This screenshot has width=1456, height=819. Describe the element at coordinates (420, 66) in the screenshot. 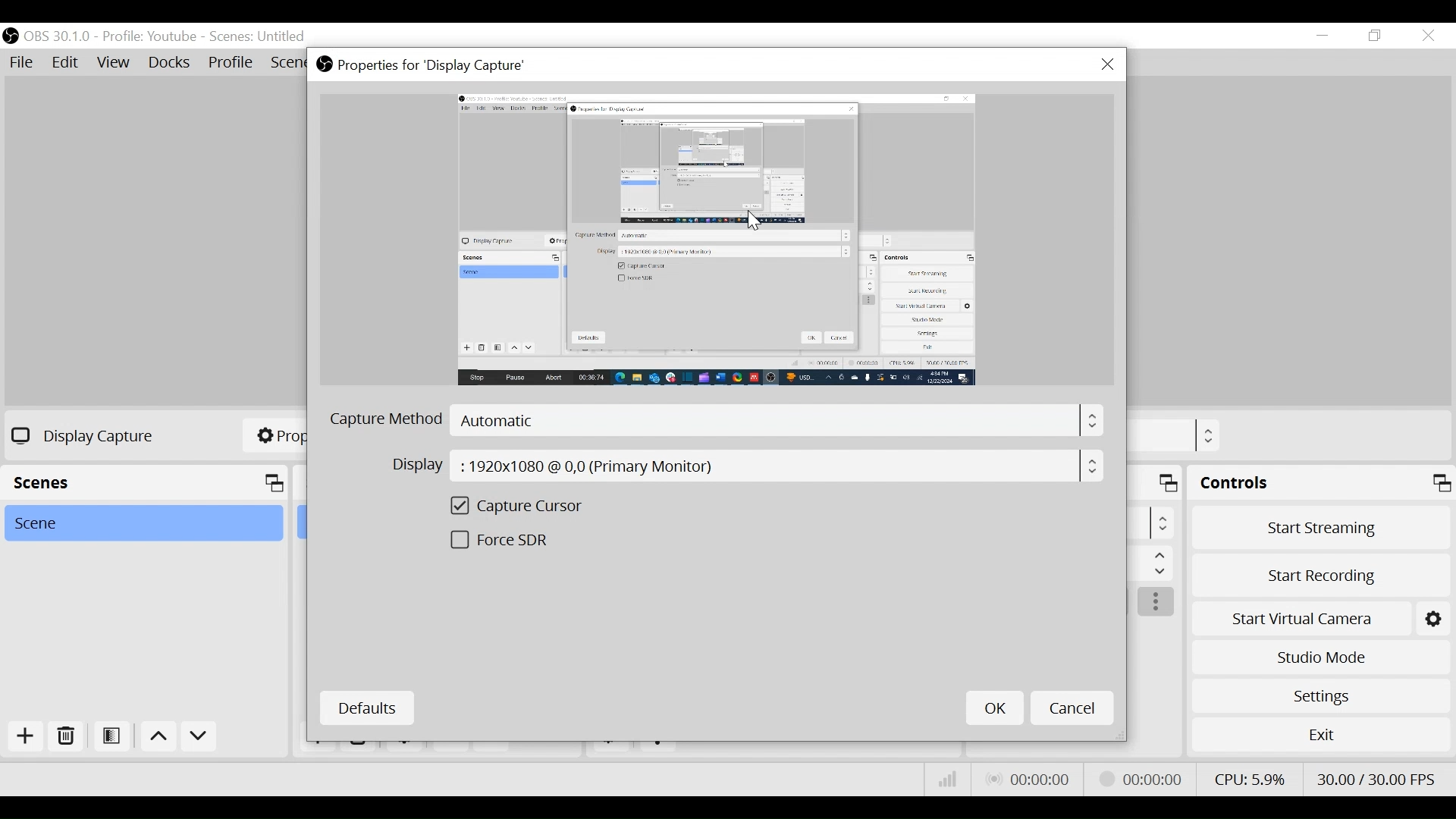

I see `Properties for Display Capture` at that location.